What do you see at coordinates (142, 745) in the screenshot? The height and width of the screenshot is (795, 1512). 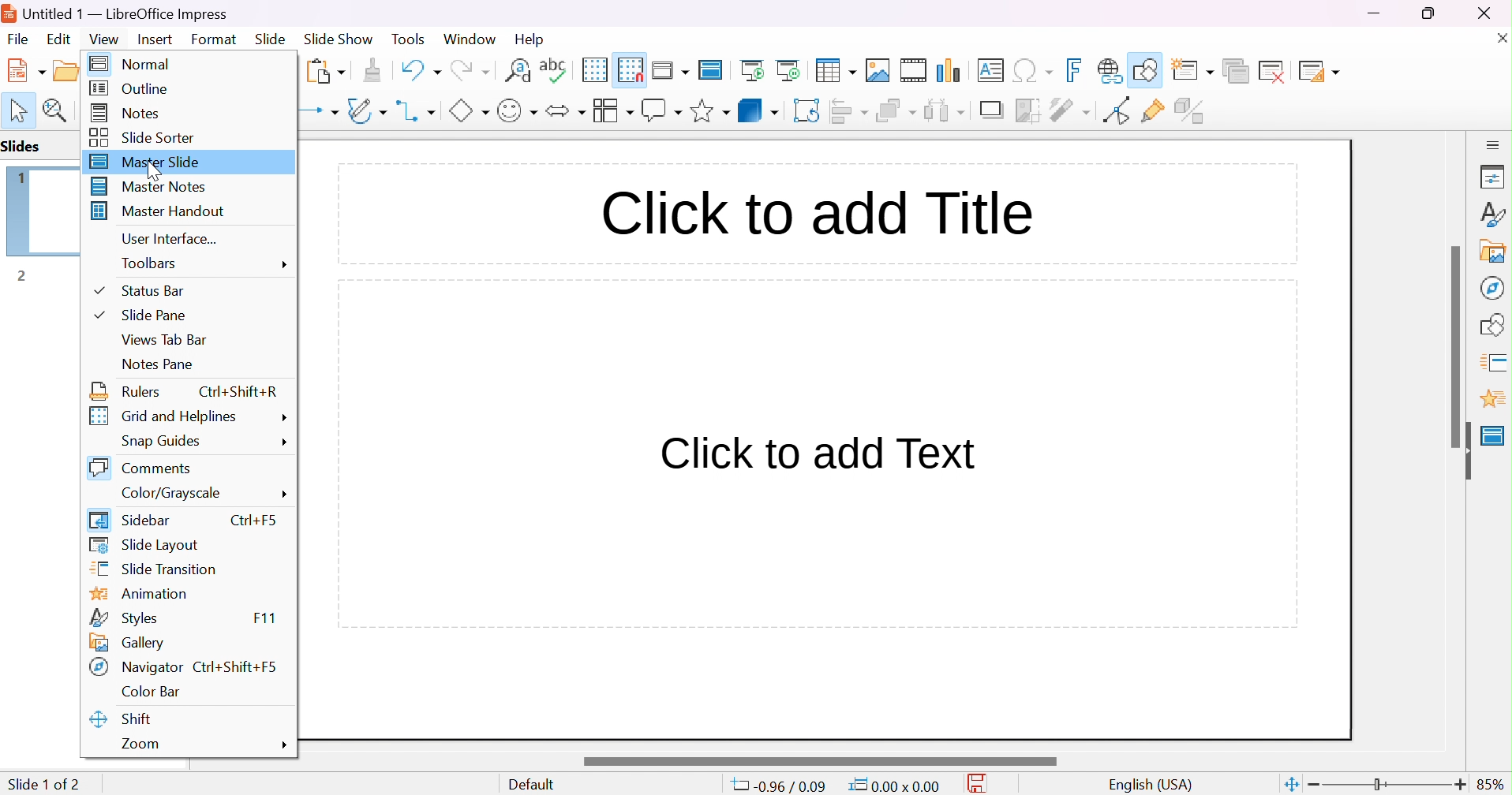 I see `zoom` at bounding box center [142, 745].